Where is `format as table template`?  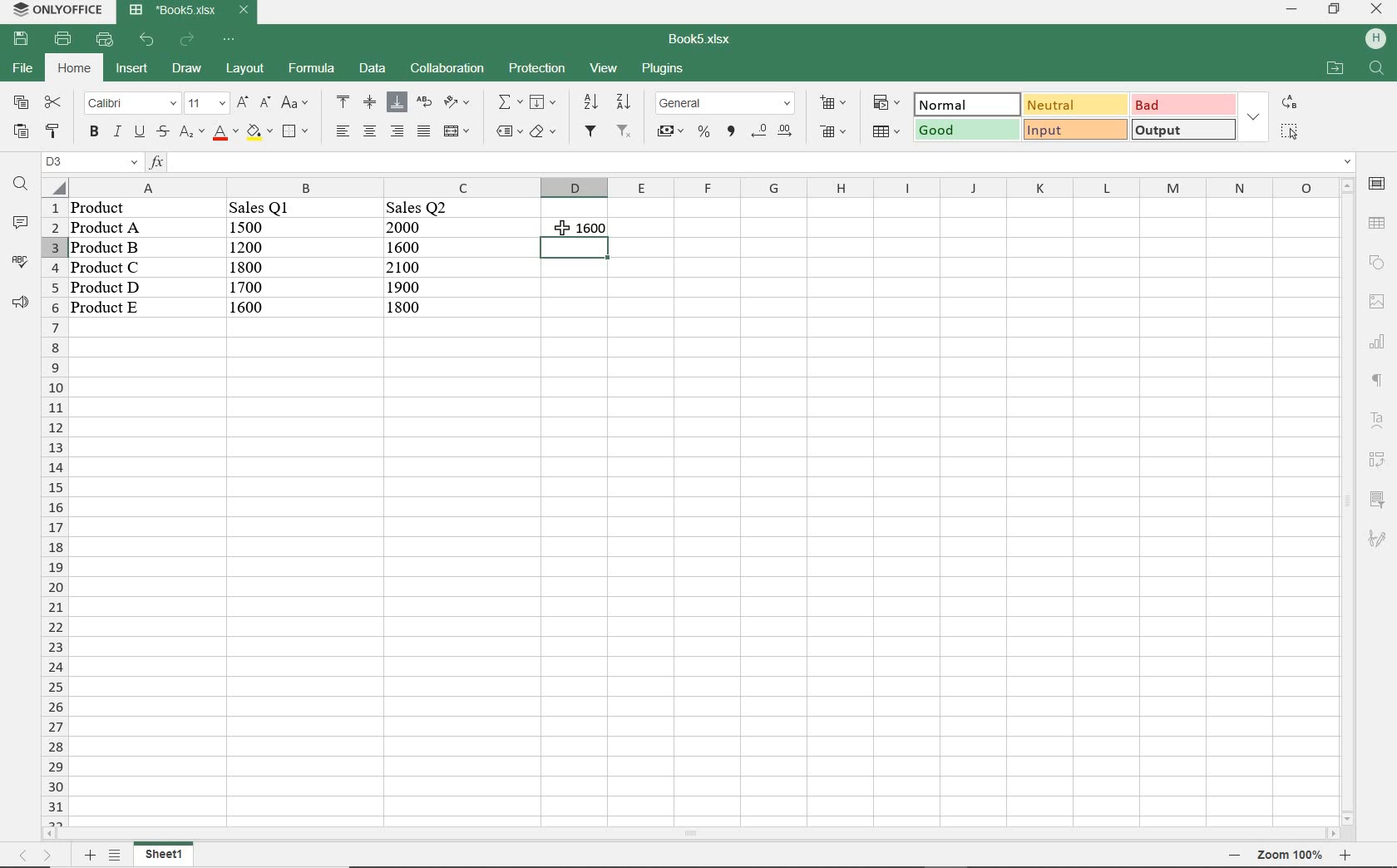 format as table template is located at coordinates (884, 131).